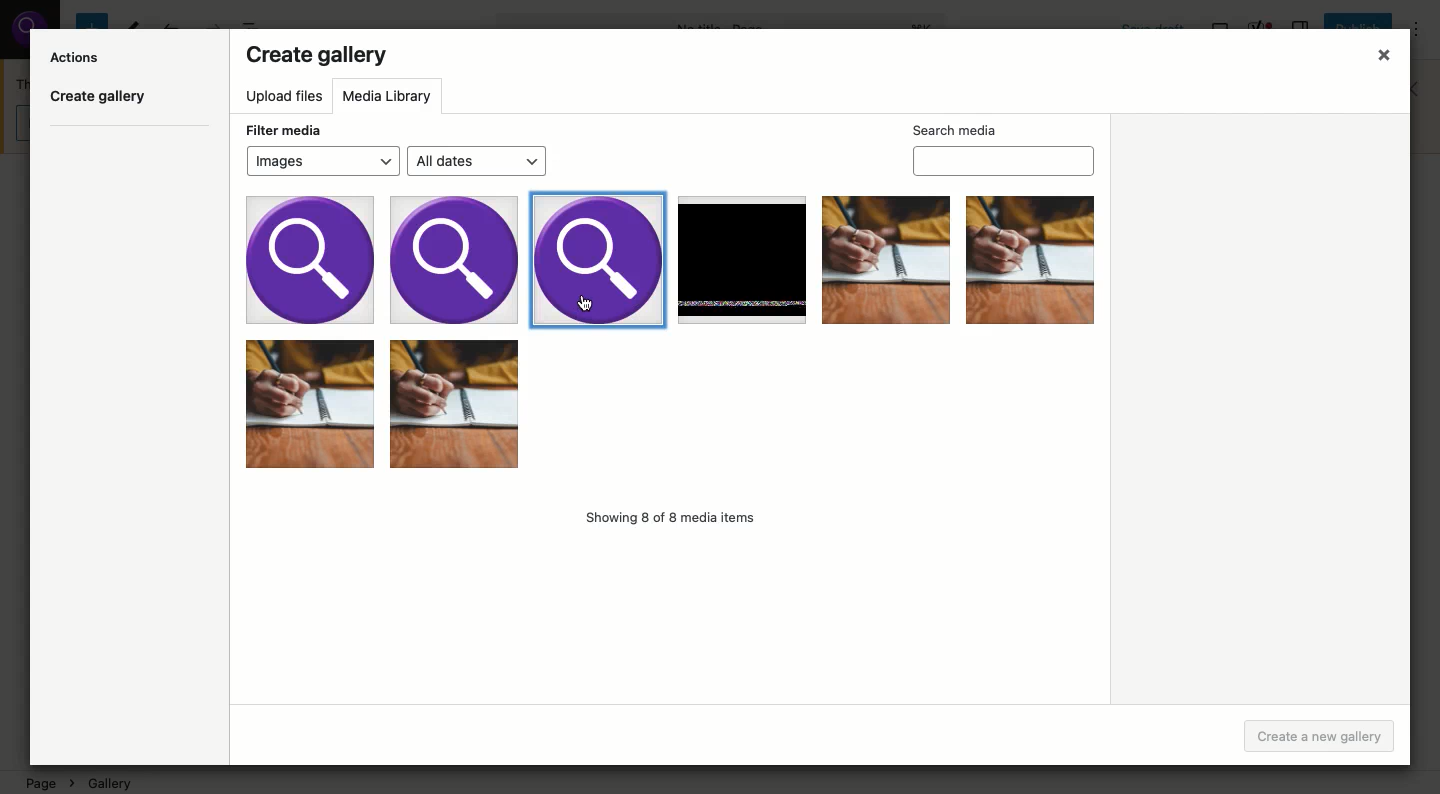  I want to click on Create new gallery, so click(1320, 737).